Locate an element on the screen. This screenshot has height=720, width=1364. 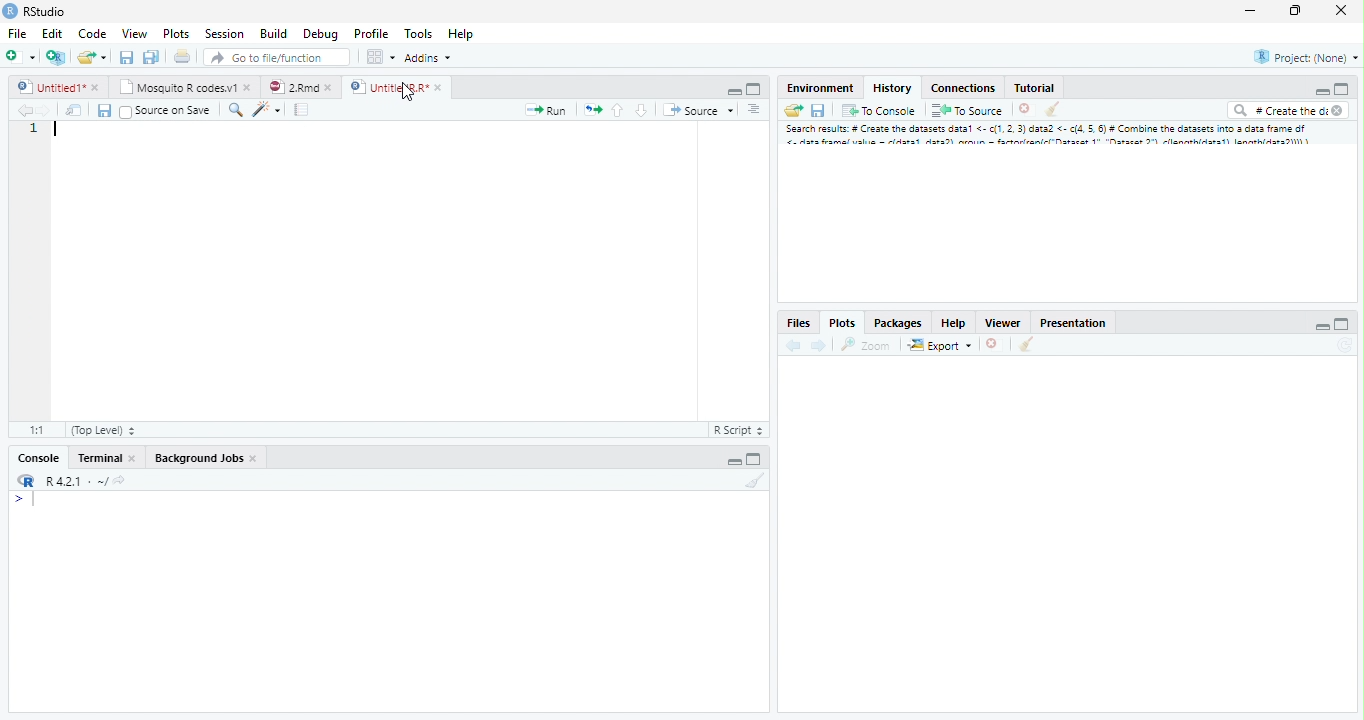
Maximize is located at coordinates (757, 460).